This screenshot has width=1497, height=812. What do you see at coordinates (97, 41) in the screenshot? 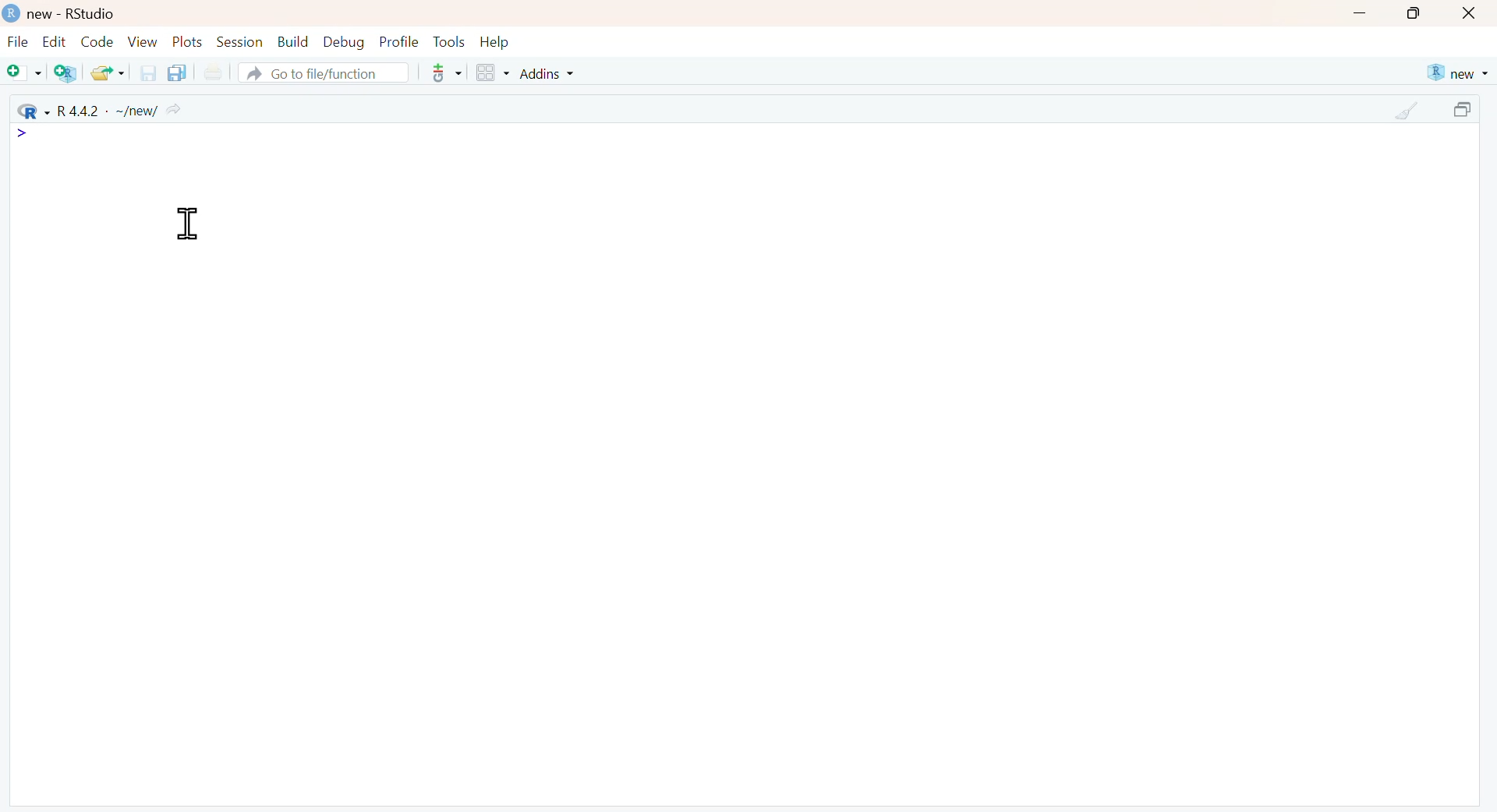
I see `Code` at bounding box center [97, 41].